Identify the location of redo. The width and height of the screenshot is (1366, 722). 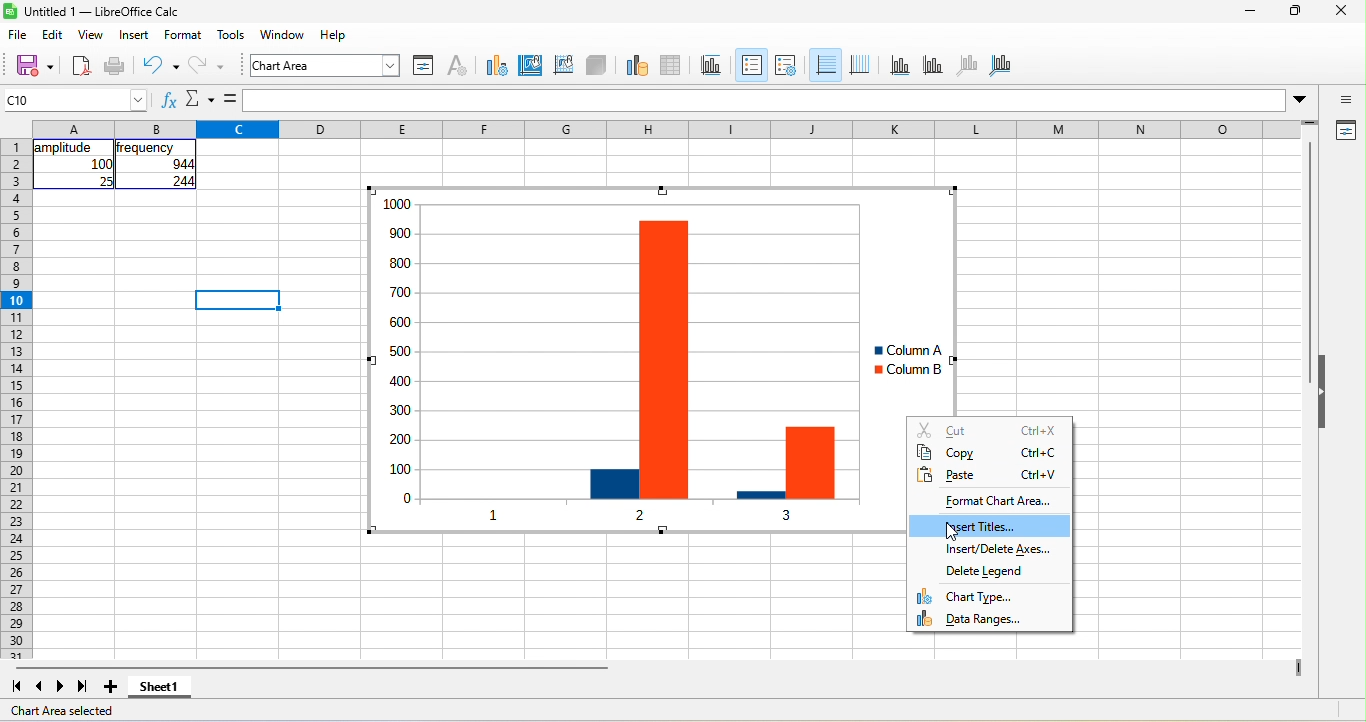
(207, 67).